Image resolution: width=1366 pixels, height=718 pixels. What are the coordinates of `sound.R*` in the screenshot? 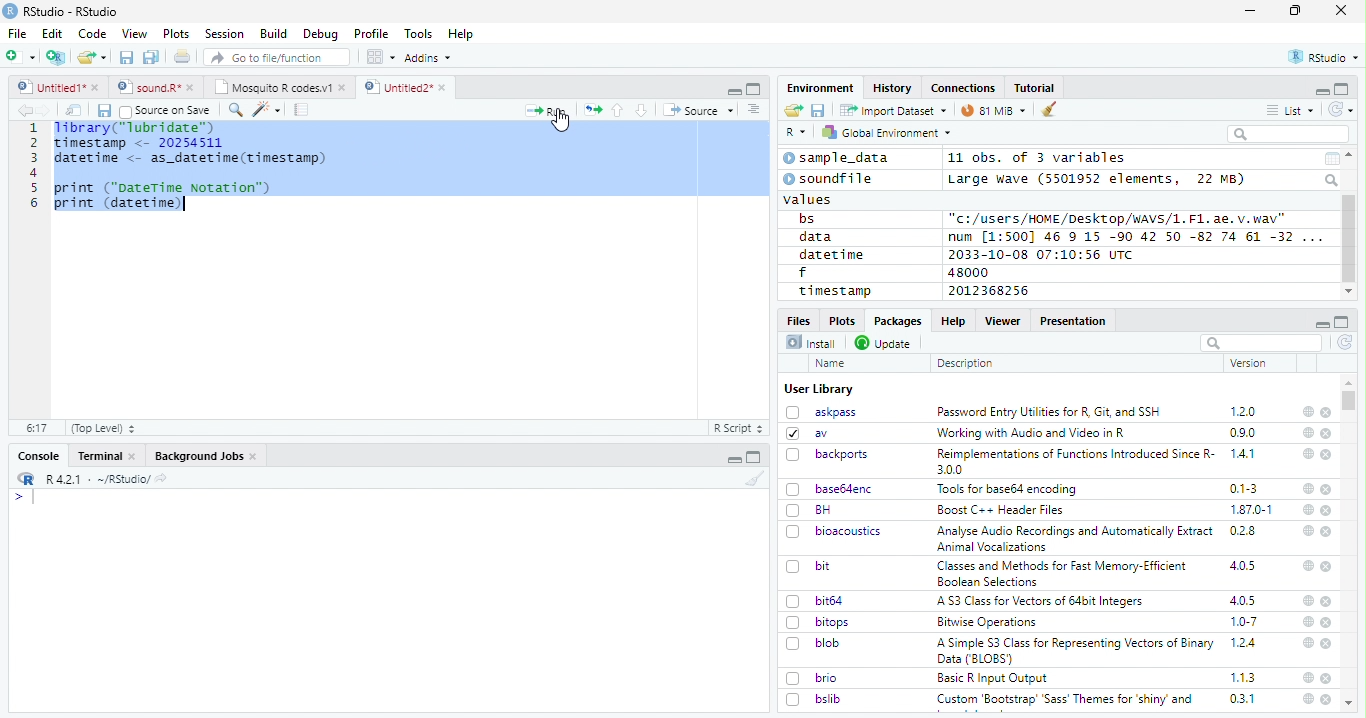 It's located at (156, 88).